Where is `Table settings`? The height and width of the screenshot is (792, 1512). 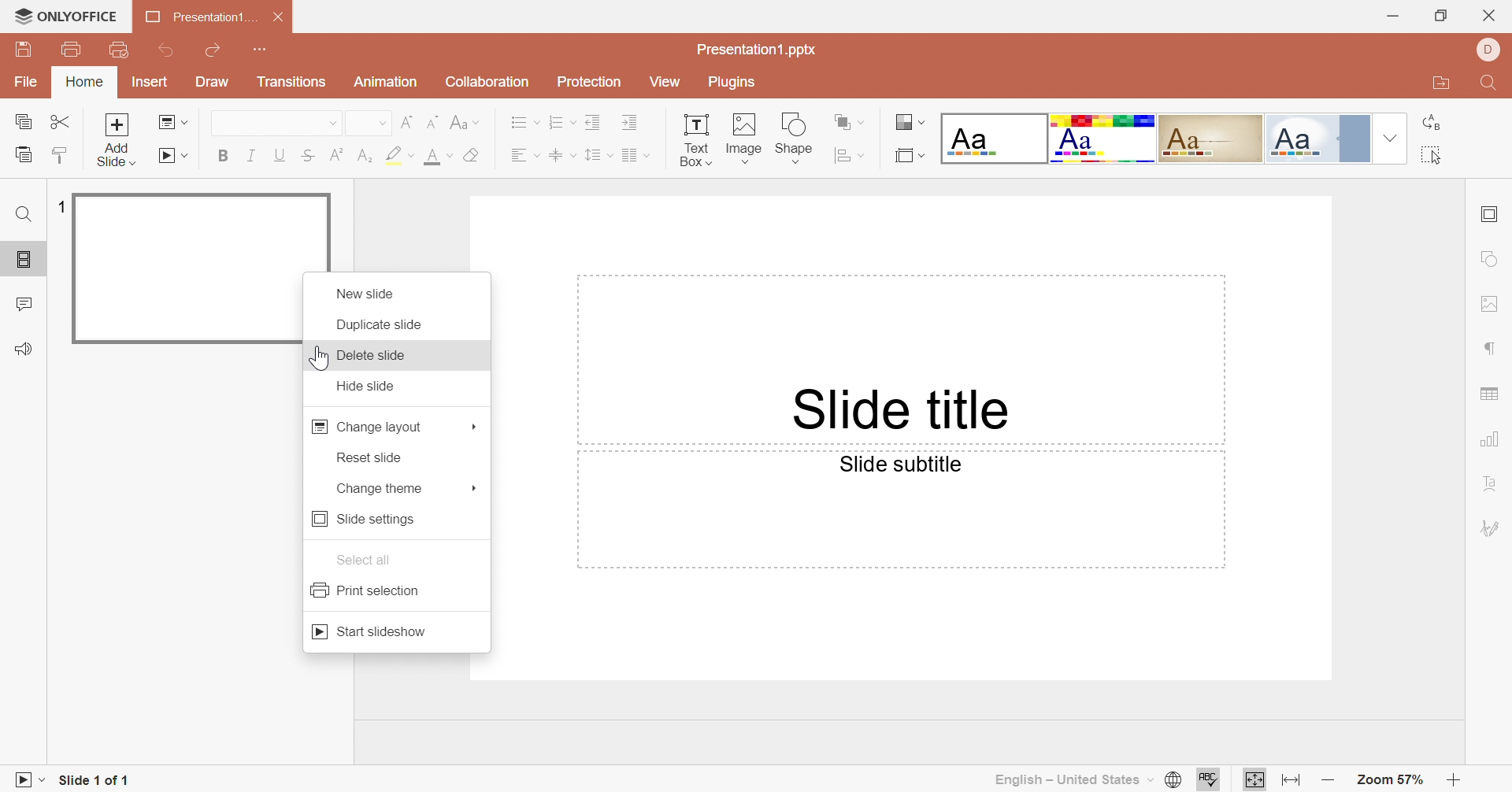 Table settings is located at coordinates (1489, 389).